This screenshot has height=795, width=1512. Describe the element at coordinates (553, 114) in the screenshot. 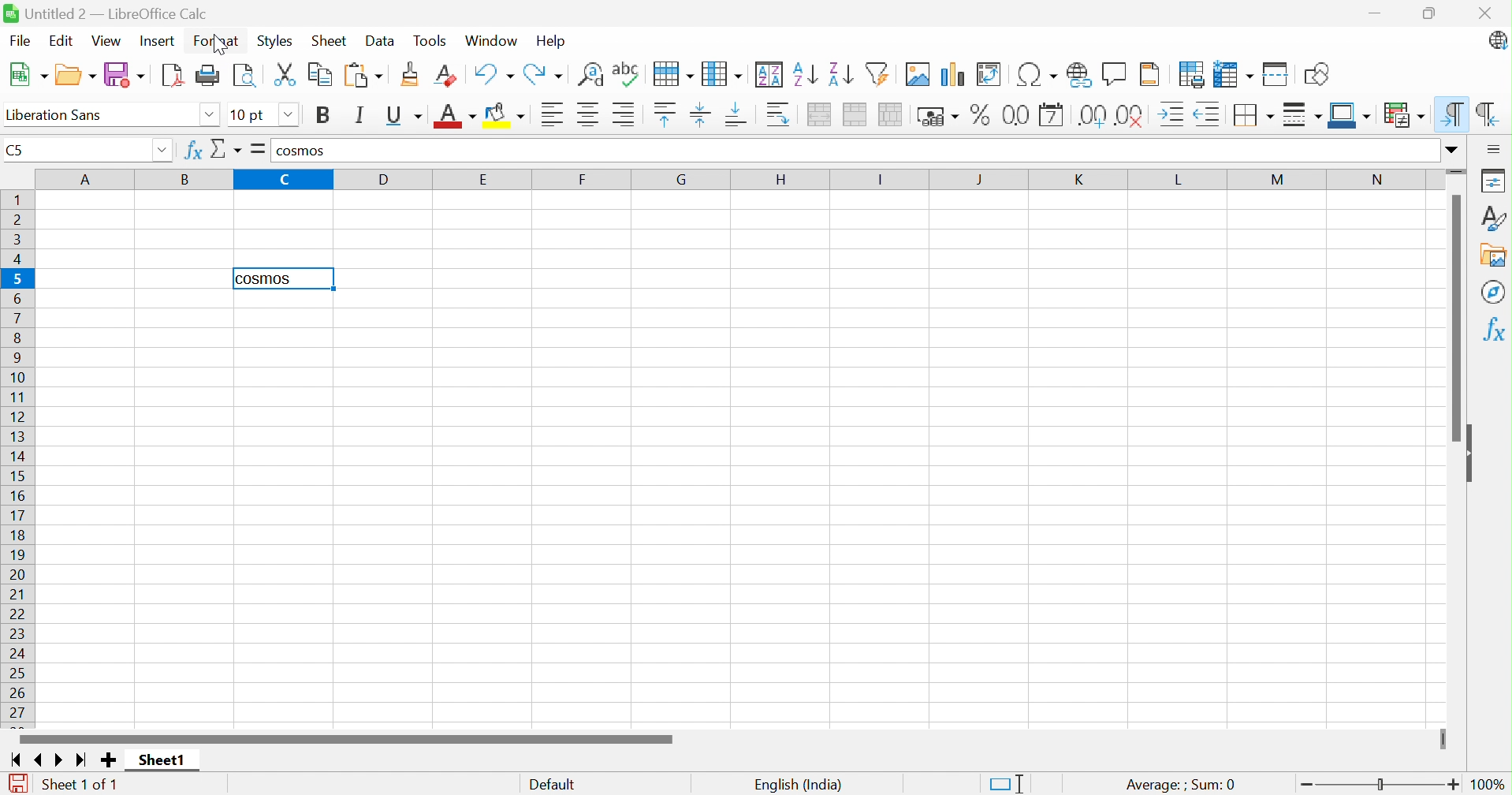

I see `Align left` at that location.